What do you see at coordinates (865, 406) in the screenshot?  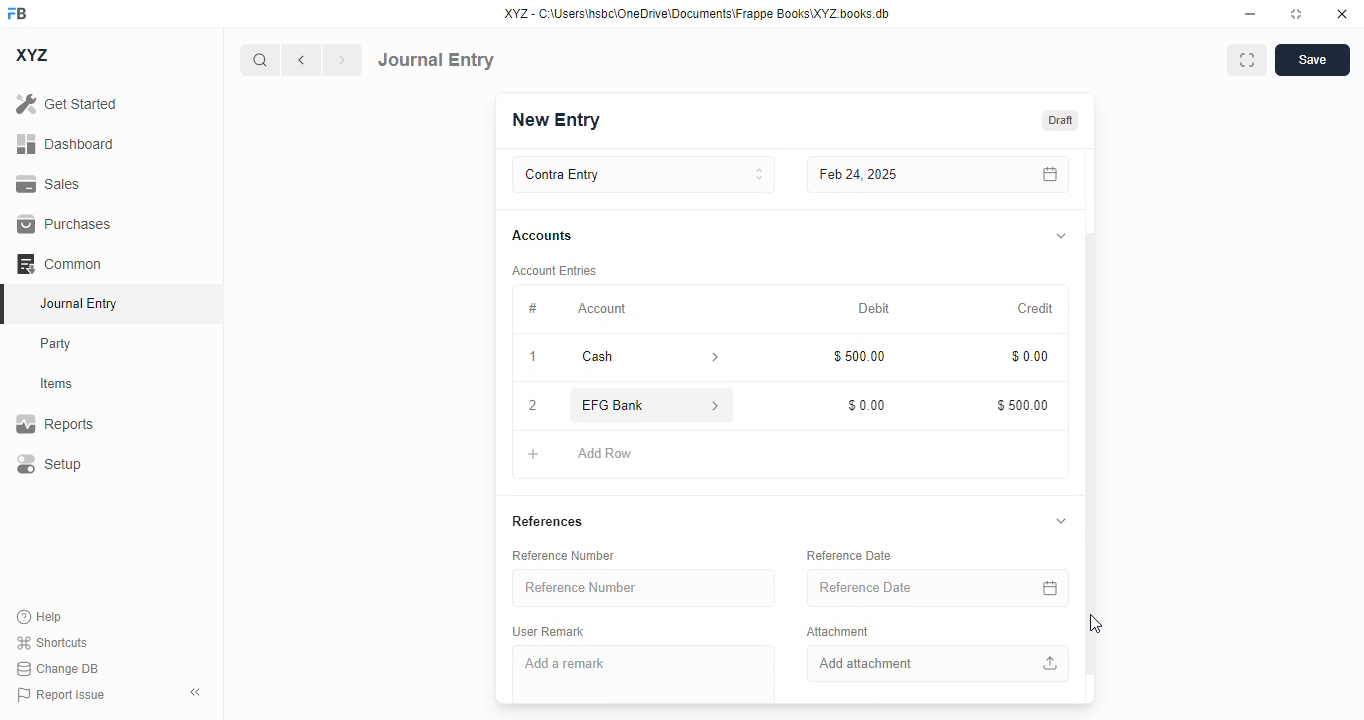 I see `$0.00` at bounding box center [865, 406].